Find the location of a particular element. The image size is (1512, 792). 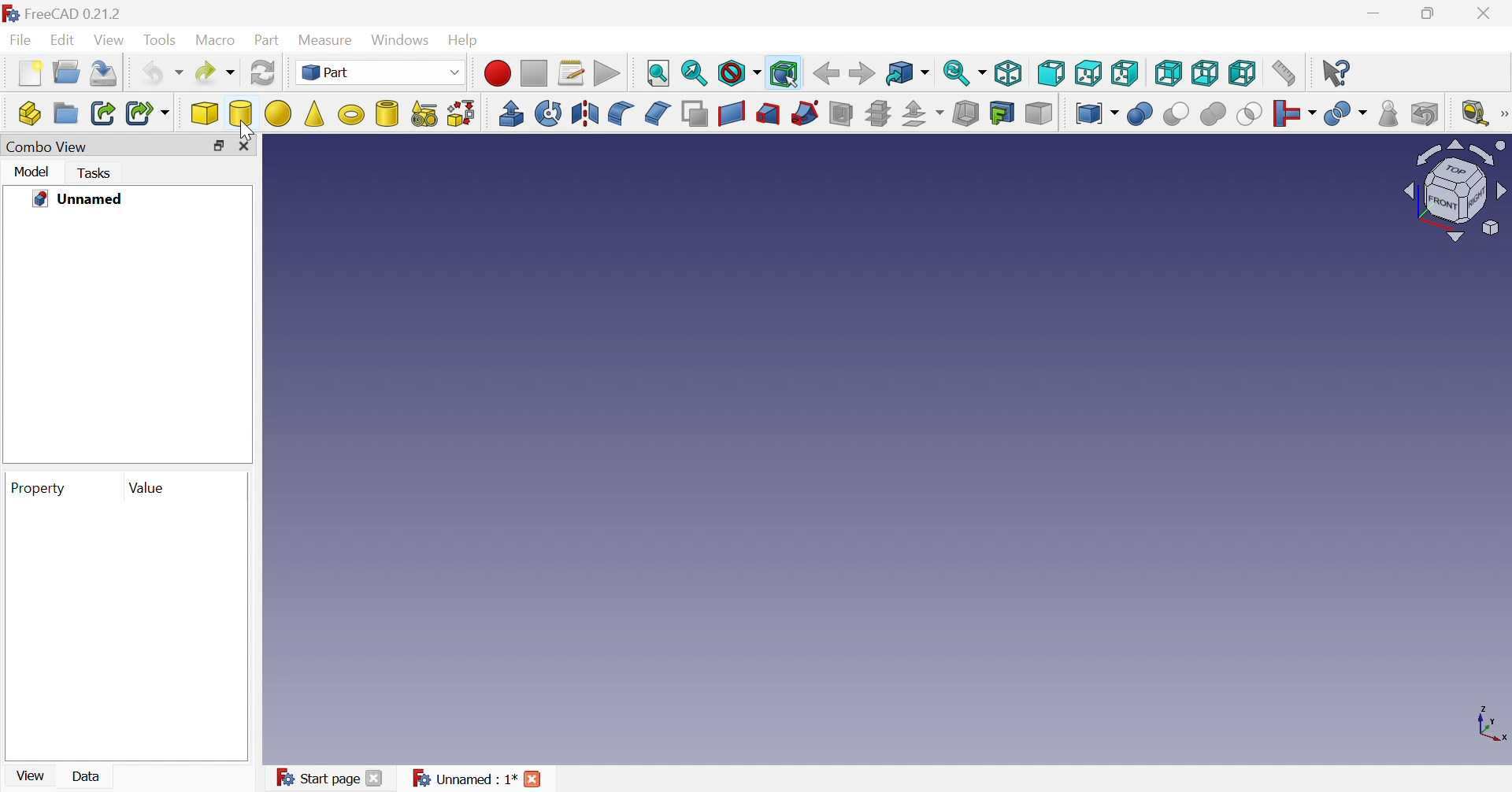

Back is located at coordinates (825, 74).